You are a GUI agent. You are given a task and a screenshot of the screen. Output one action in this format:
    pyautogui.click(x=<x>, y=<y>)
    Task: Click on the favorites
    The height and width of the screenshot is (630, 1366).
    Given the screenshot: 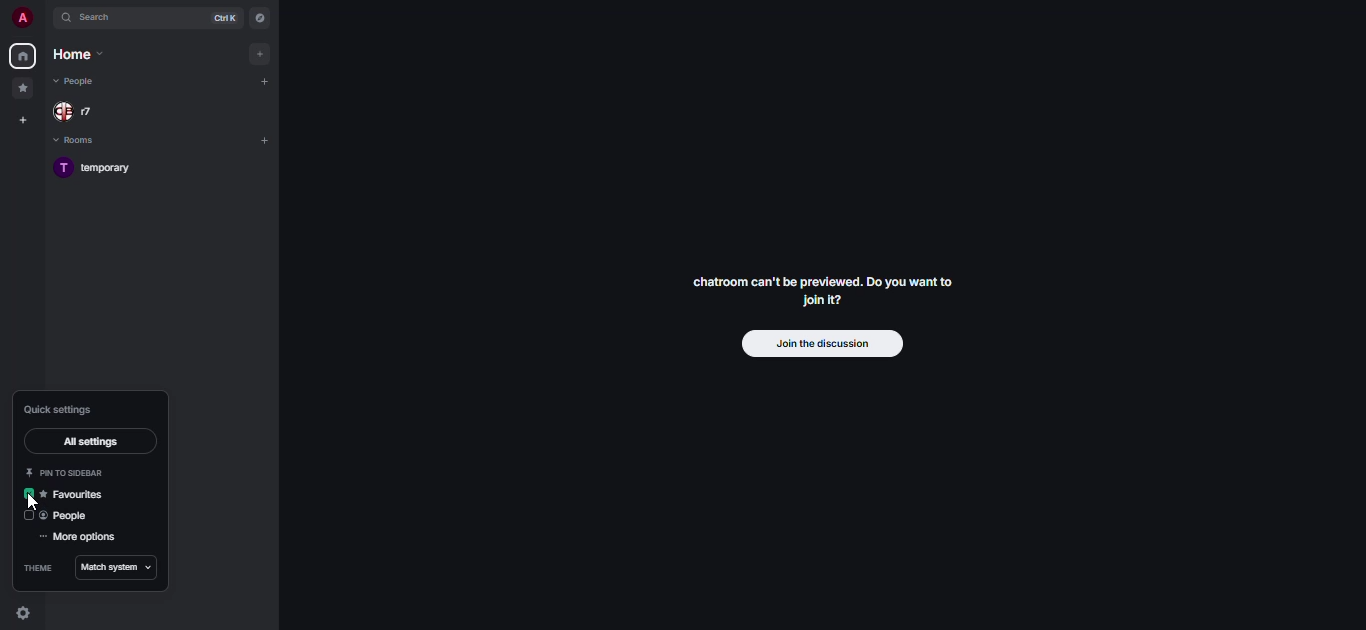 What is the action you would take?
    pyautogui.click(x=72, y=495)
    